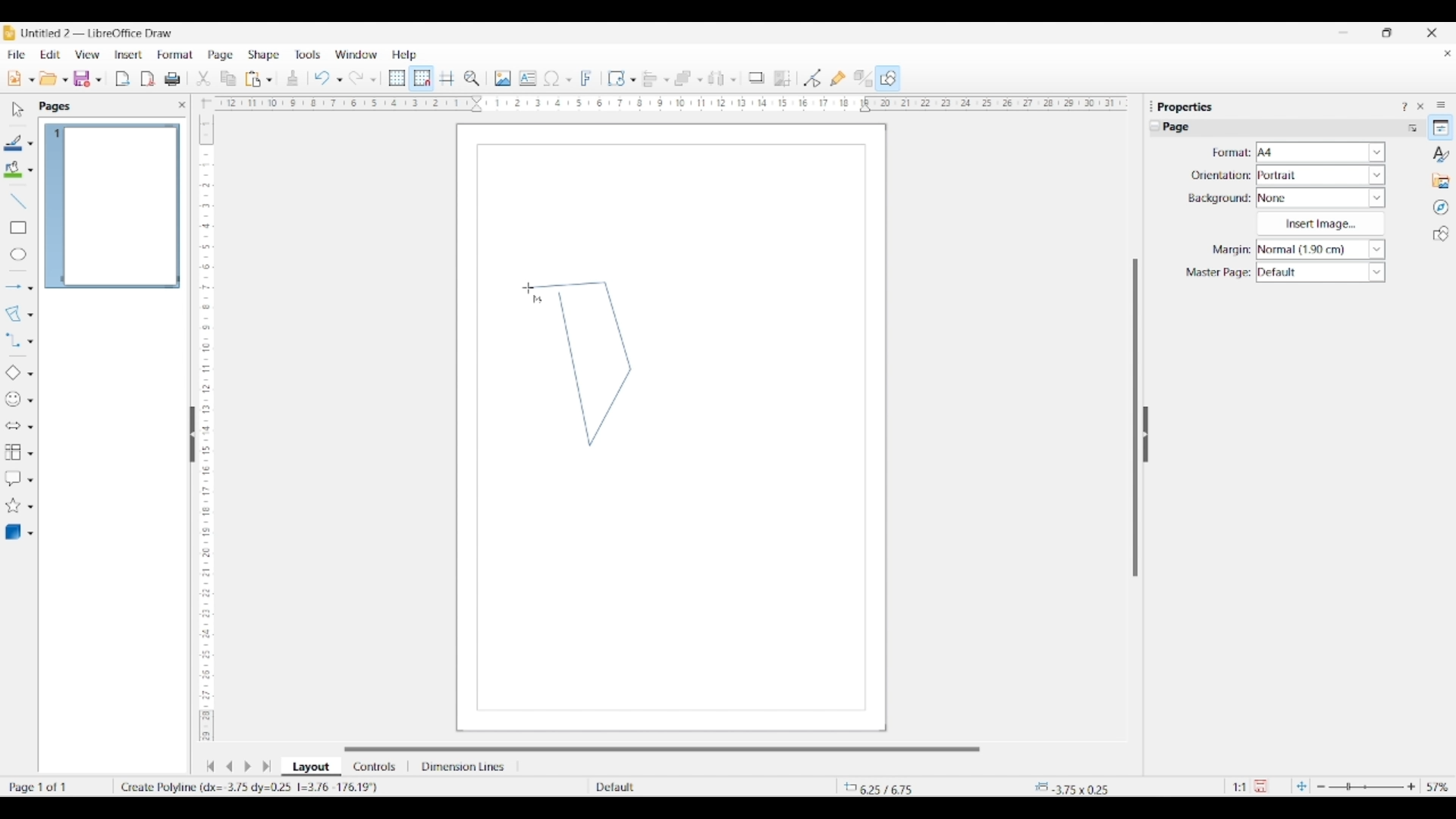  What do you see at coordinates (1441, 127) in the screenshot?
I see `Properties` at bounding box center [1441, 127].